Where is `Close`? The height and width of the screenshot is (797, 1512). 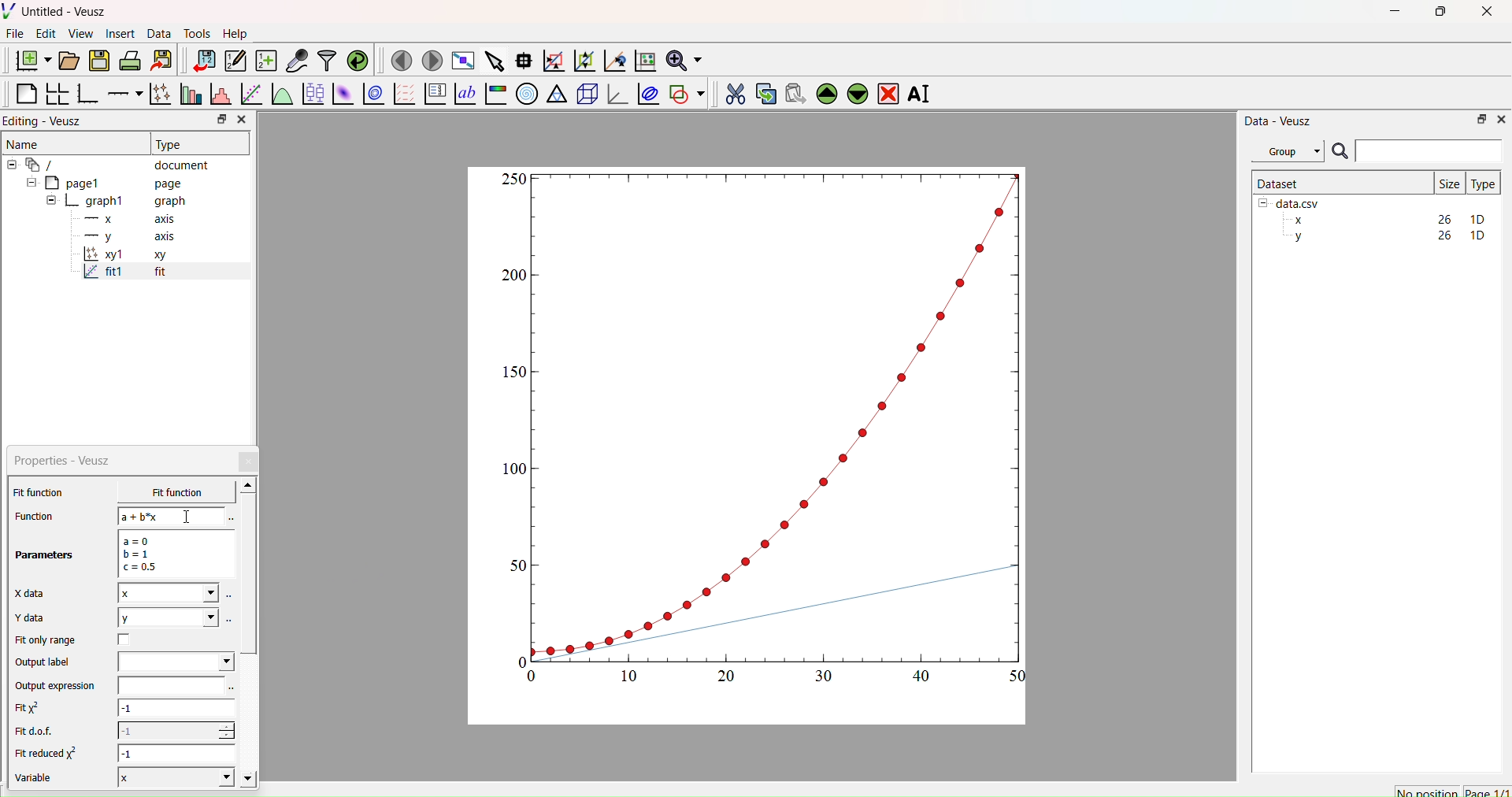
Close is located at coordinates (1500, 118).